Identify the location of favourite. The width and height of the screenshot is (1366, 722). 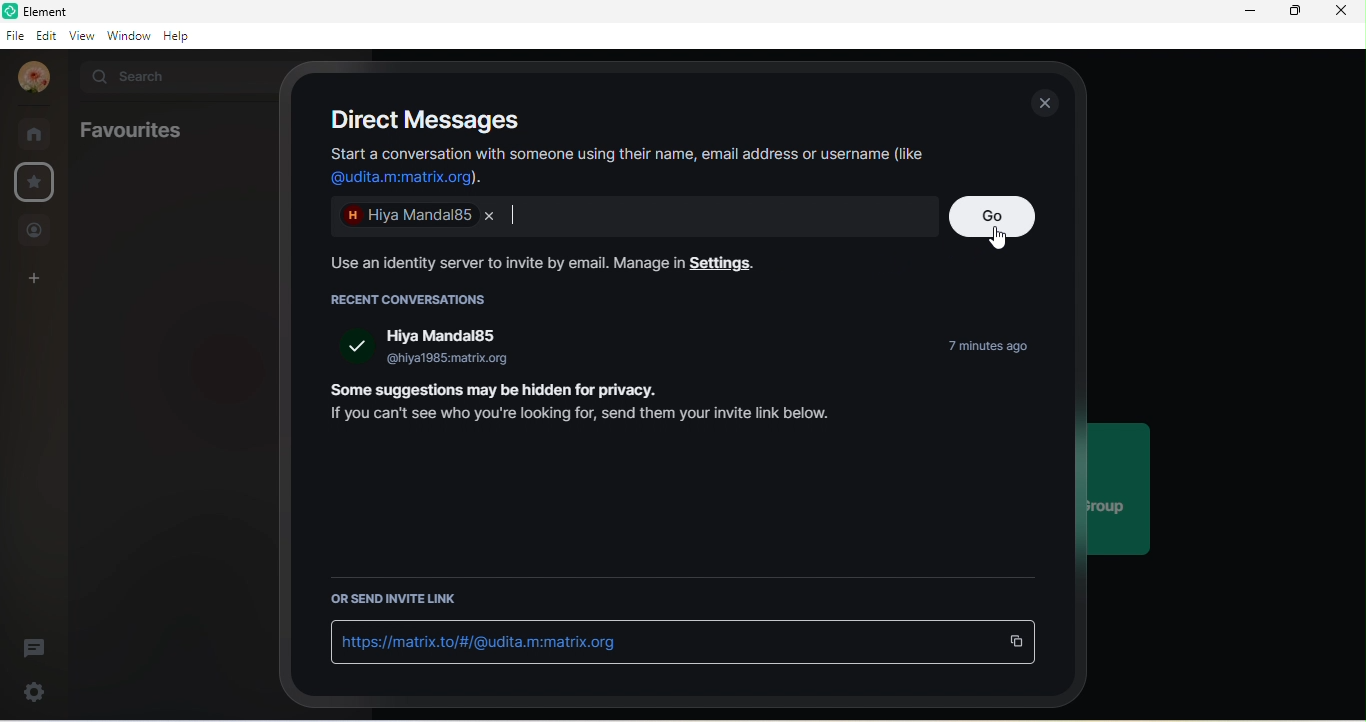
(38, 181).